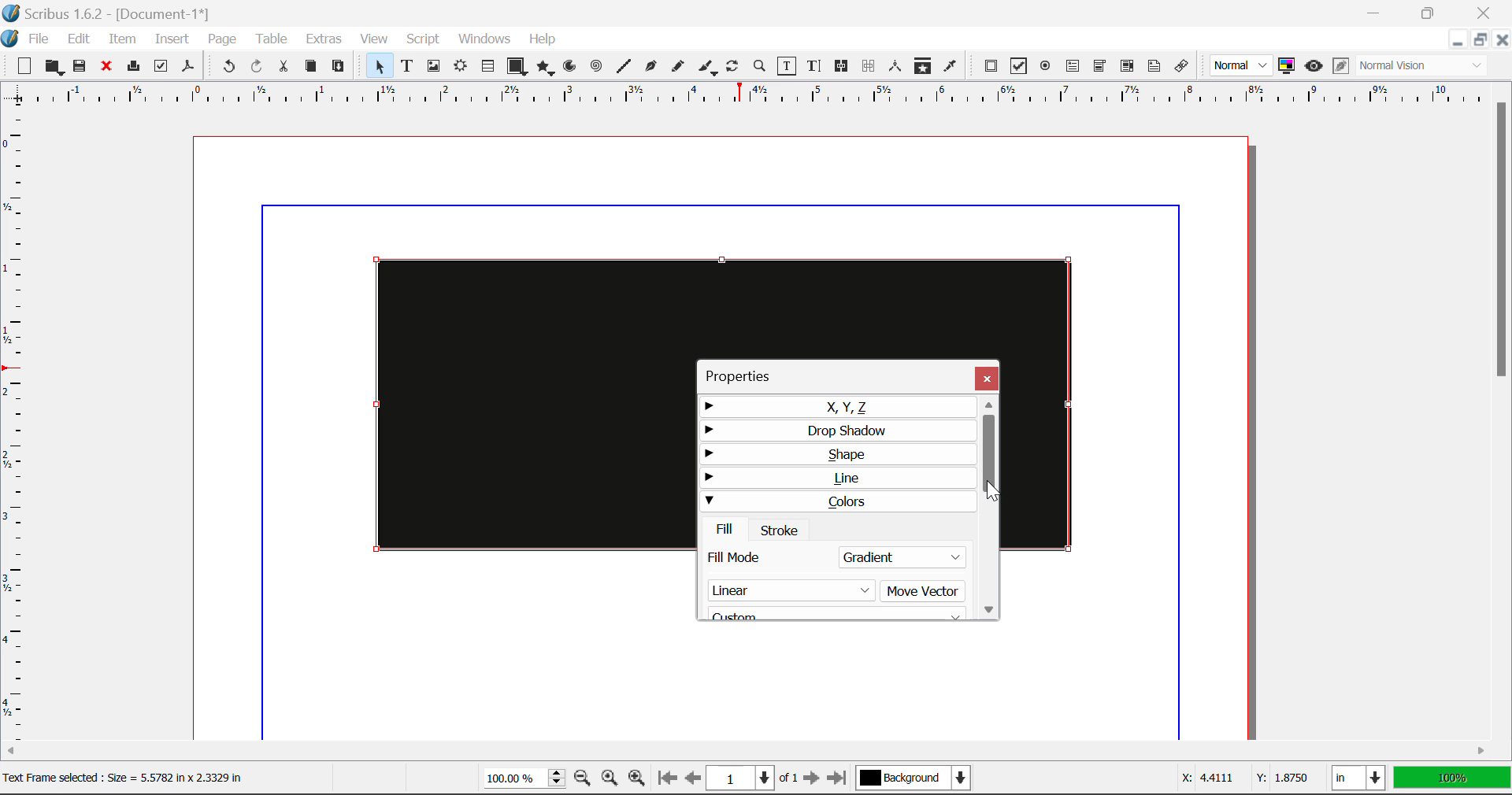 The image size is (1512, 795). I want to click on Link Annotation, so click(1185, 67).